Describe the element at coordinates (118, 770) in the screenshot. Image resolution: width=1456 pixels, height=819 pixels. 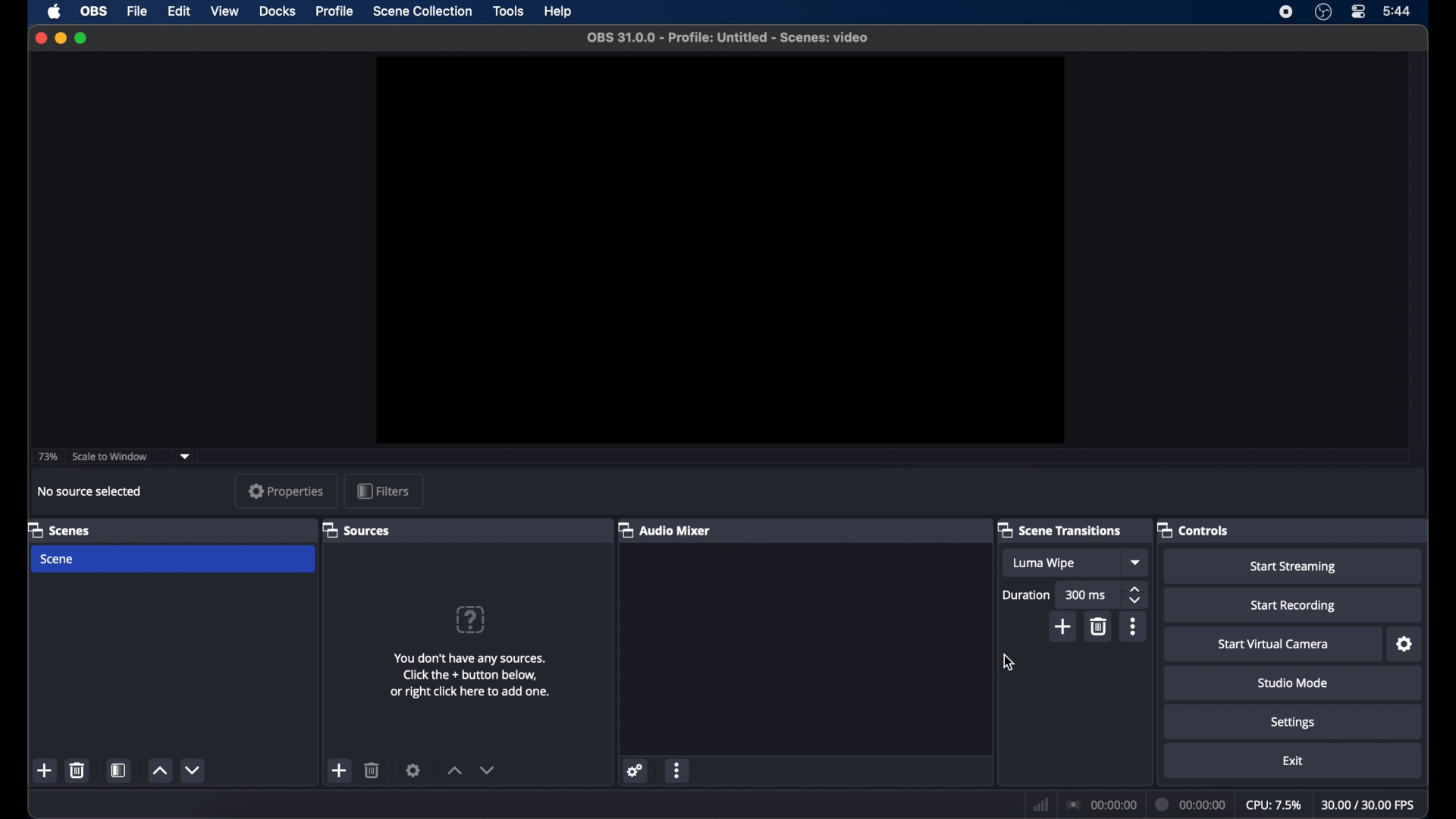
I see `scene filters` at that location.